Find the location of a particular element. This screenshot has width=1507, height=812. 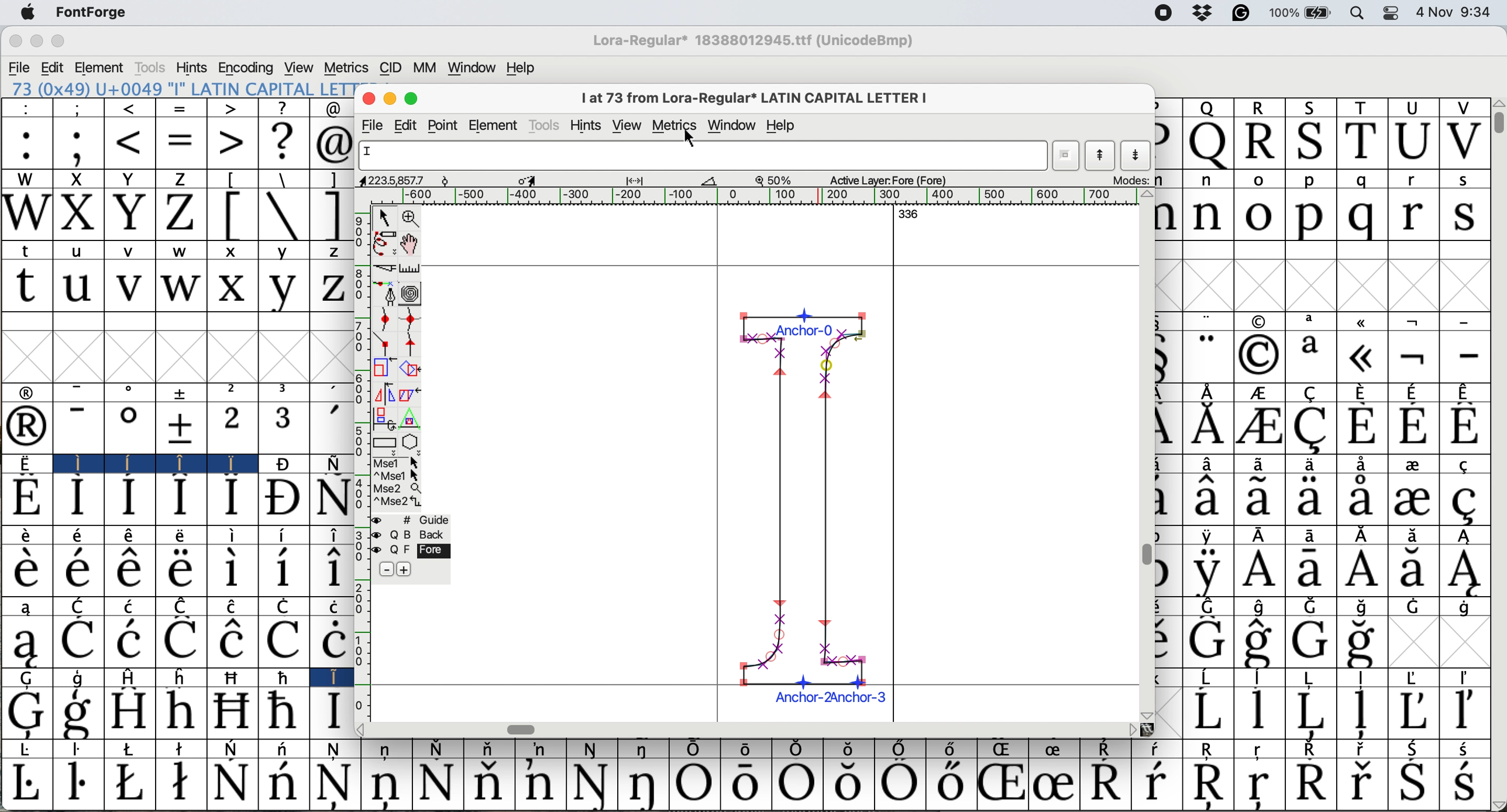

Symbol is located at coordinates (335, 785).